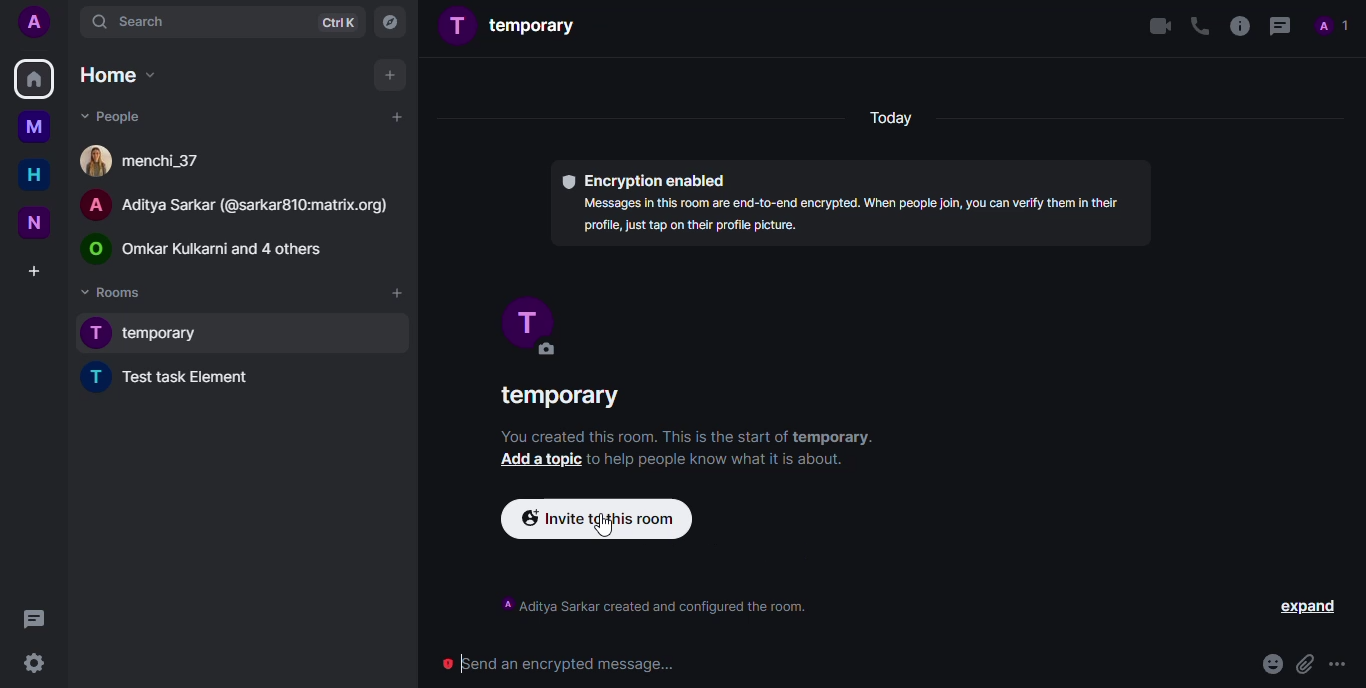 This screenshot has width=1366, height=688. Describe the element at coordinates (34, 617) in the screenshot. I see `` at that location.